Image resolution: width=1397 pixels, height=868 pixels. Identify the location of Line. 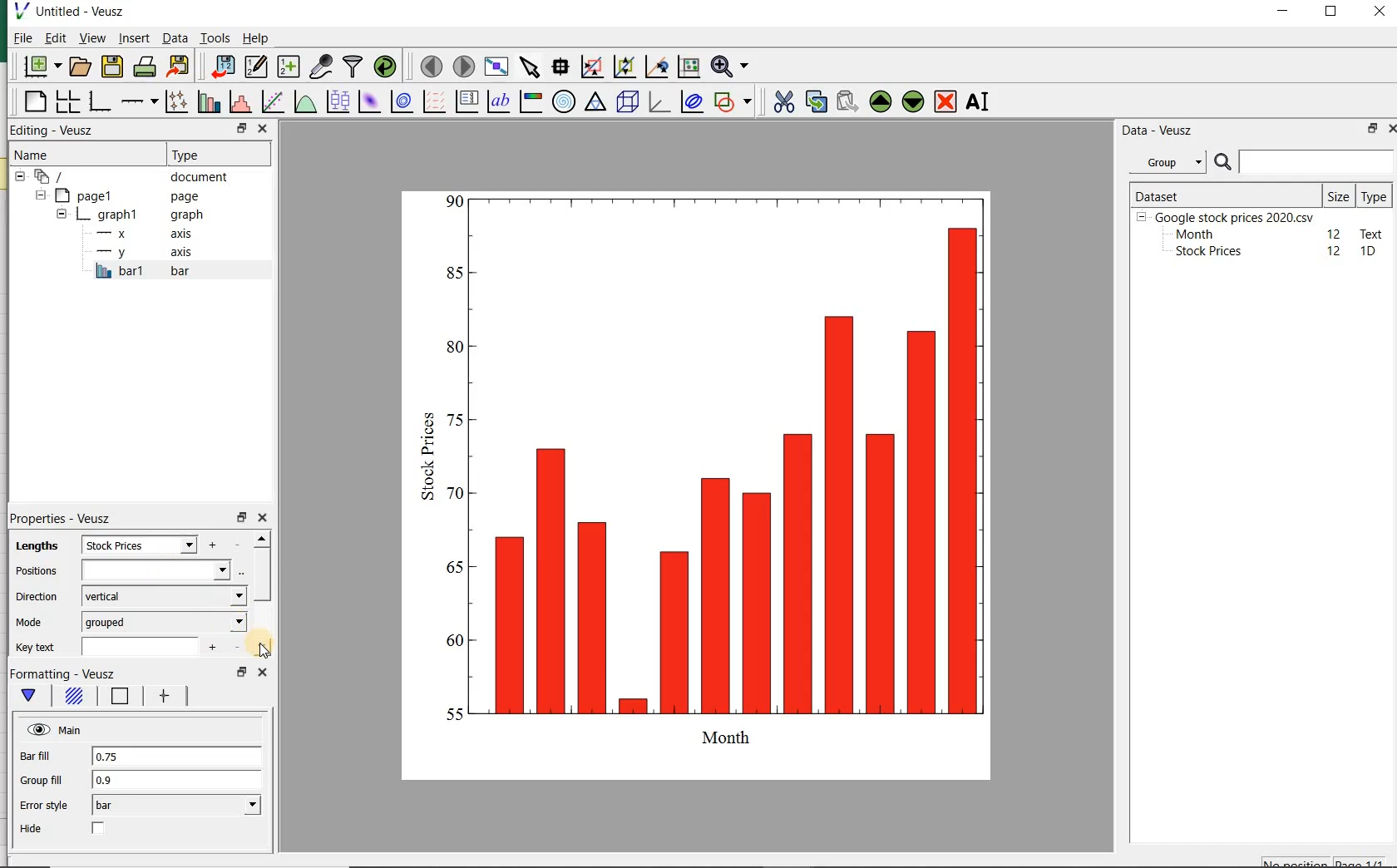
(120, 697).